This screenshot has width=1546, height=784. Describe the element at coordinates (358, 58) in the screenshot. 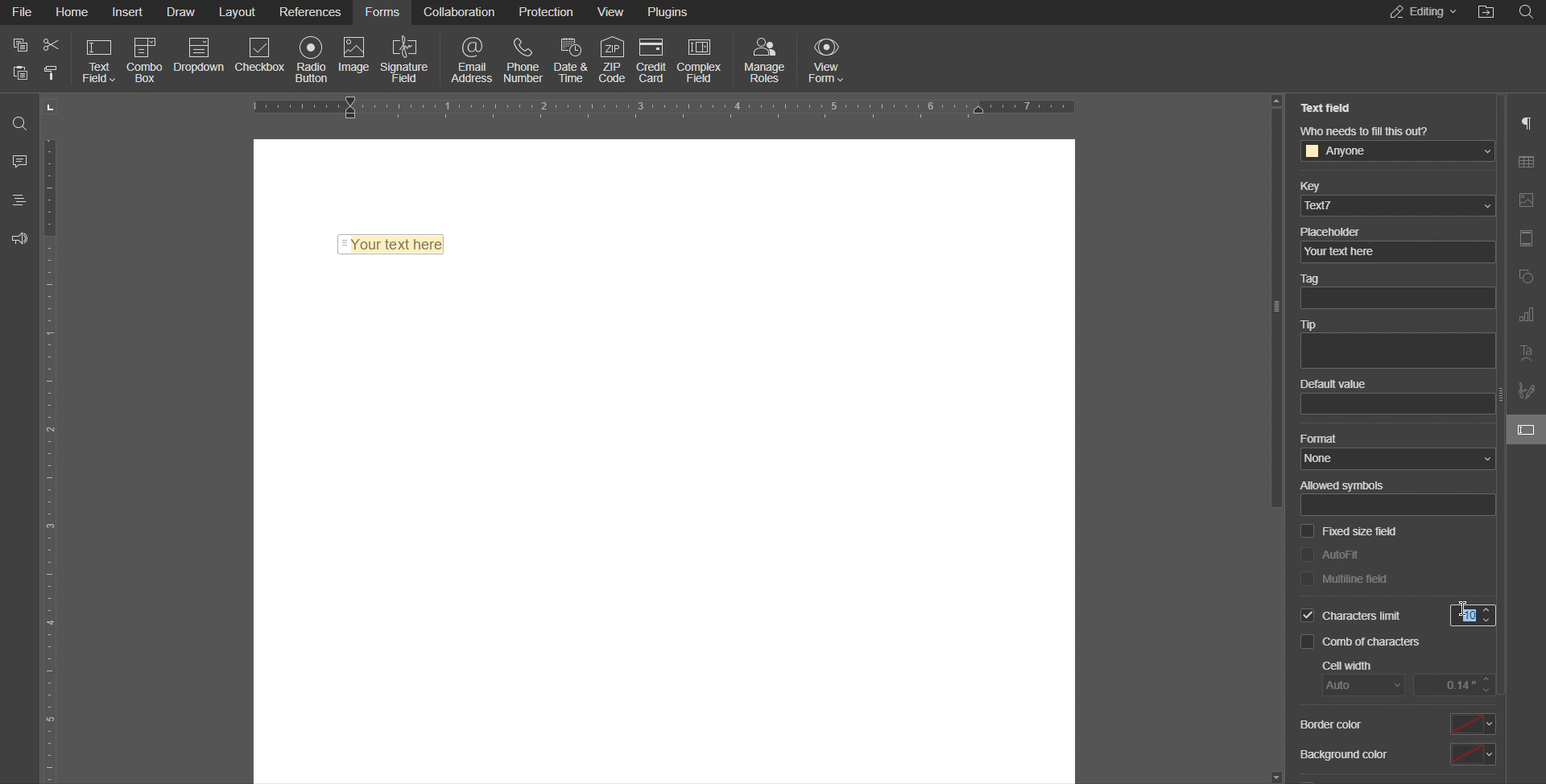

I see `Image` at that location.